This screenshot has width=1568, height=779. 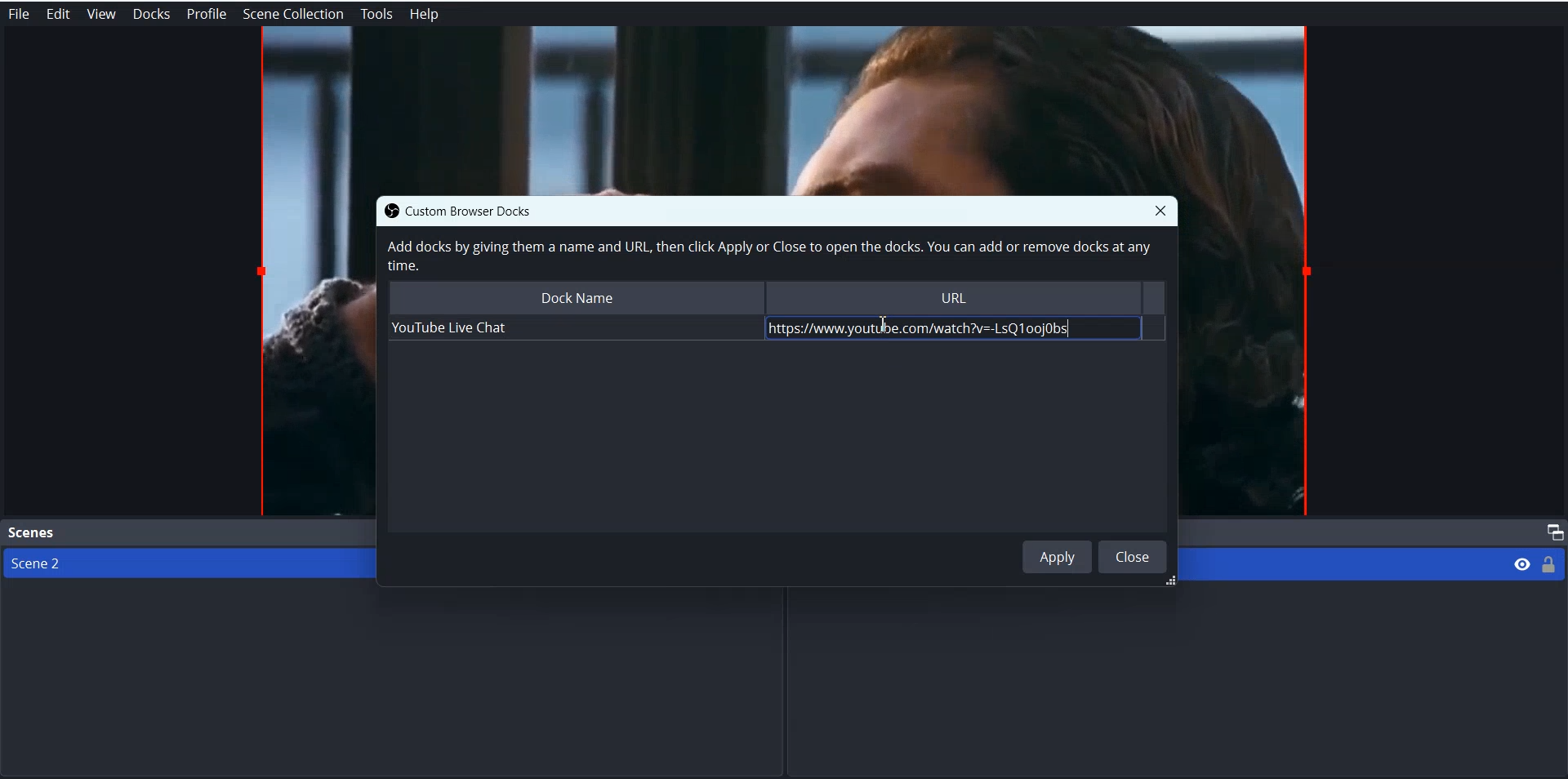 I want to click on Custom Browser Docks, so click(x=484, y=210).